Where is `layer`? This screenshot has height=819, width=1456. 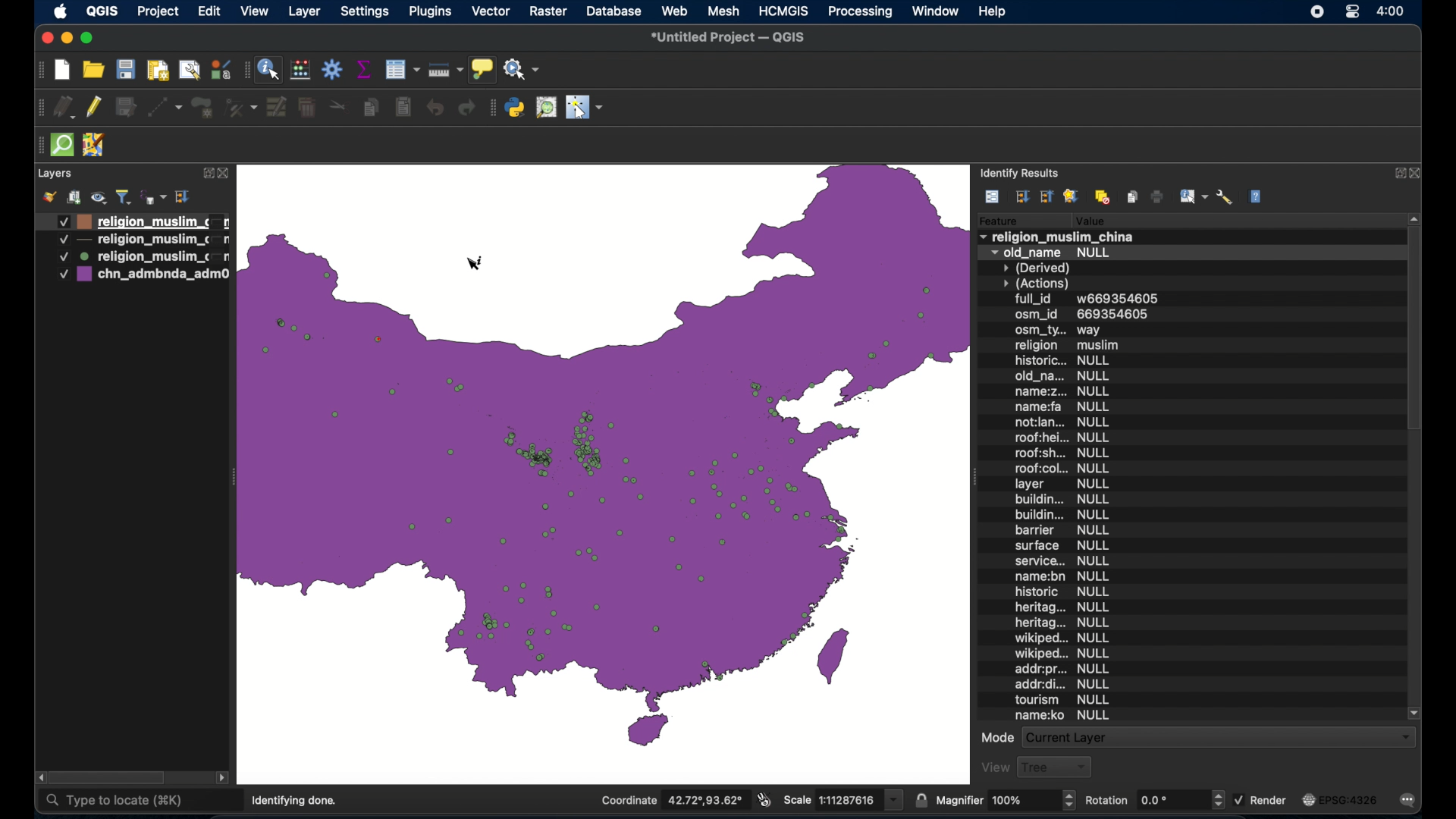
layer is located at coordinates (1059, 484).